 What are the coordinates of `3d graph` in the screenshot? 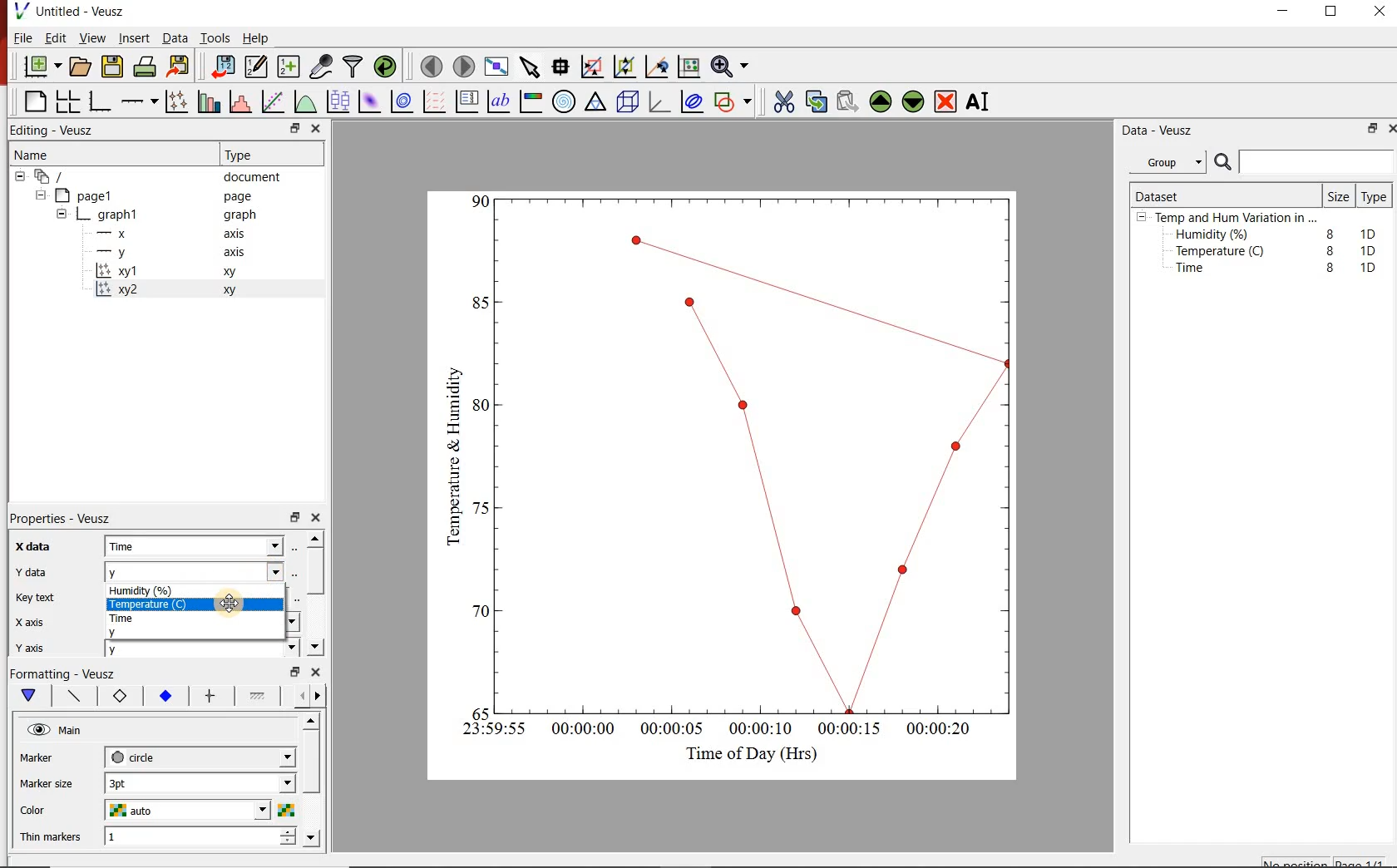 It's located at (662, 104).